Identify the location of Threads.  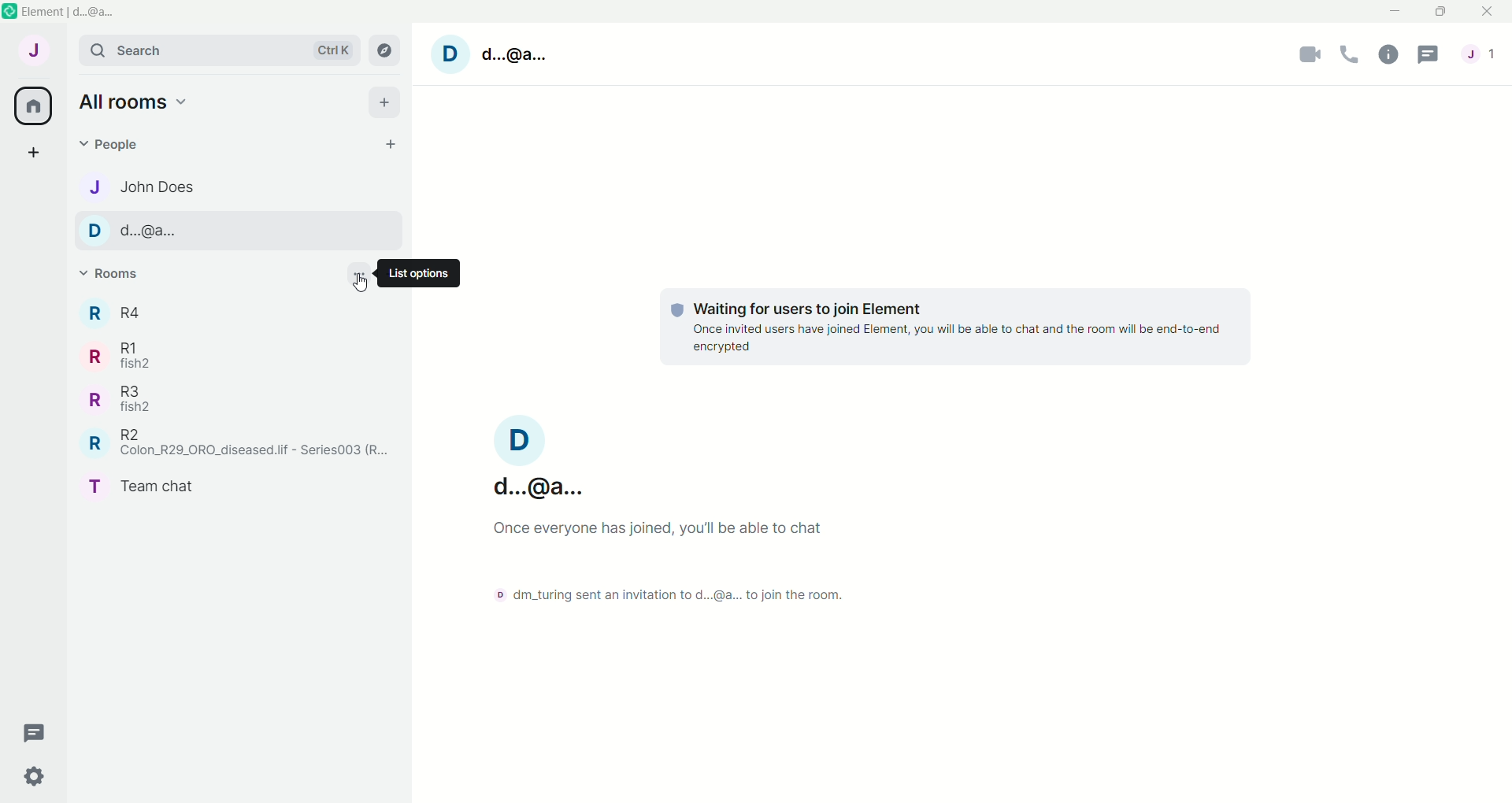
(39, 732).